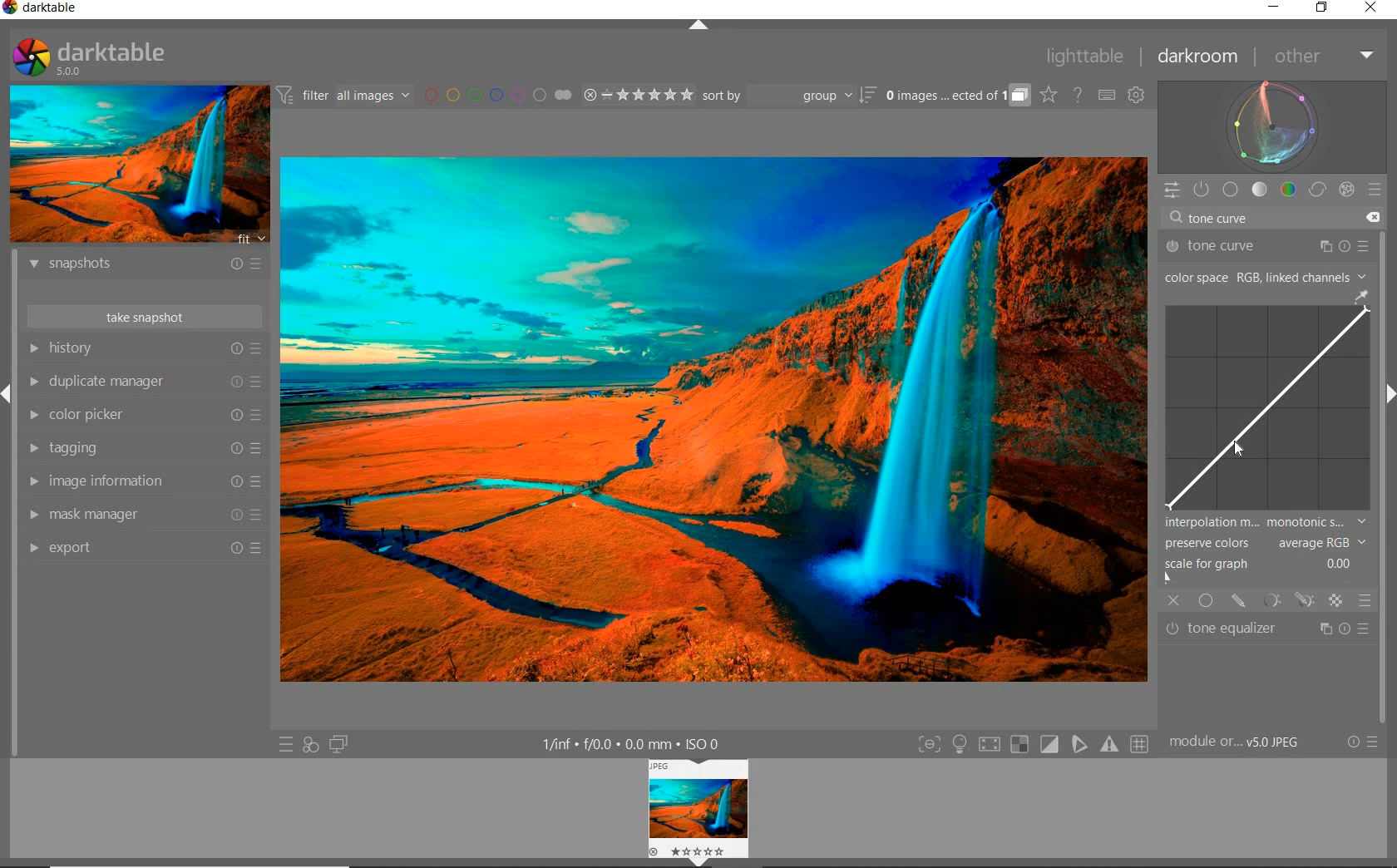 The image size is (1397, 868). What do you see at coordinates (699, 861) in the screenshot?
I see `Expand/Collapse` at bounding box center [699, 861].